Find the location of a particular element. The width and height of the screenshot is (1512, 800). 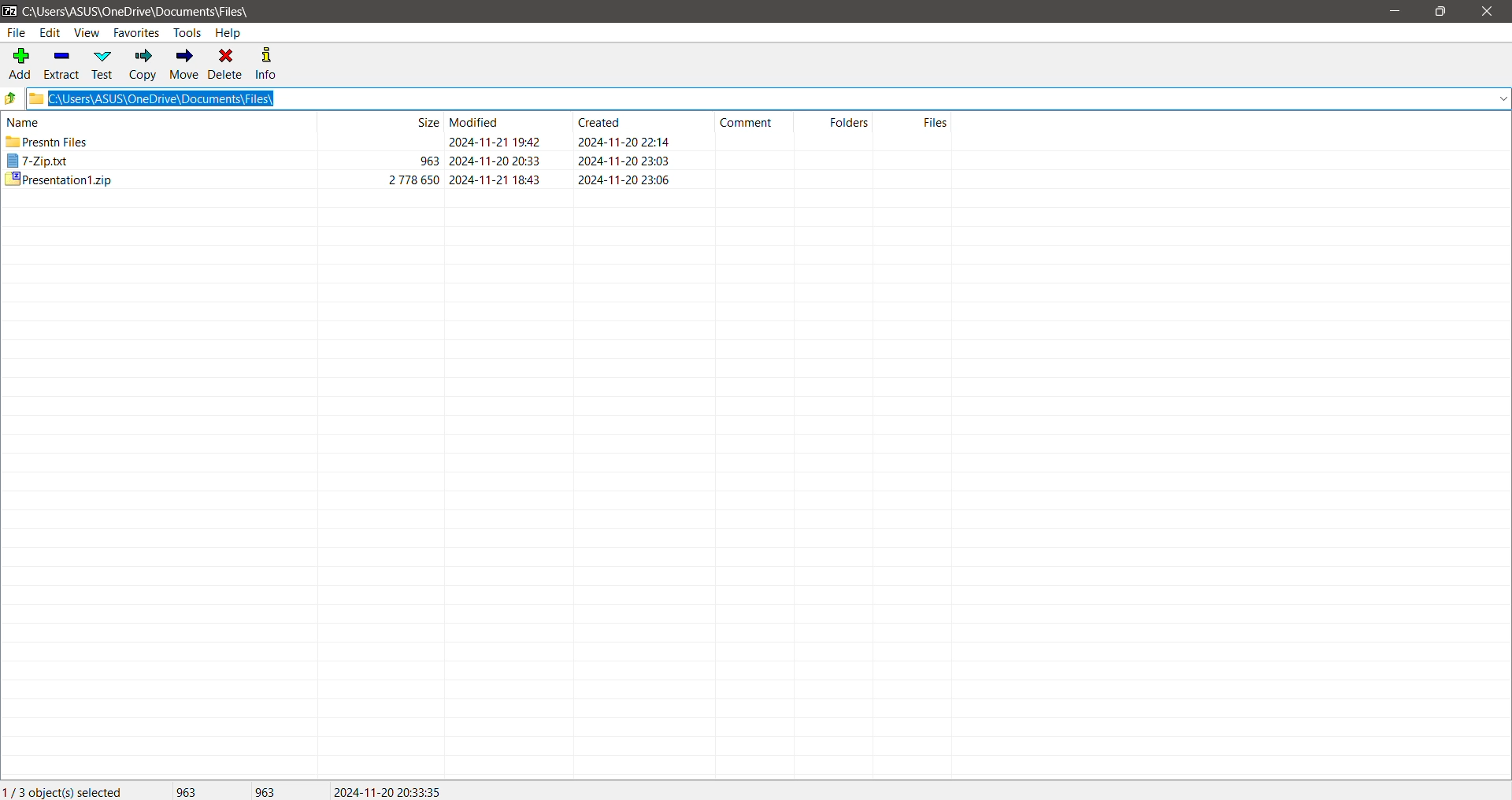

Copy is located at coordinates (140, 65).